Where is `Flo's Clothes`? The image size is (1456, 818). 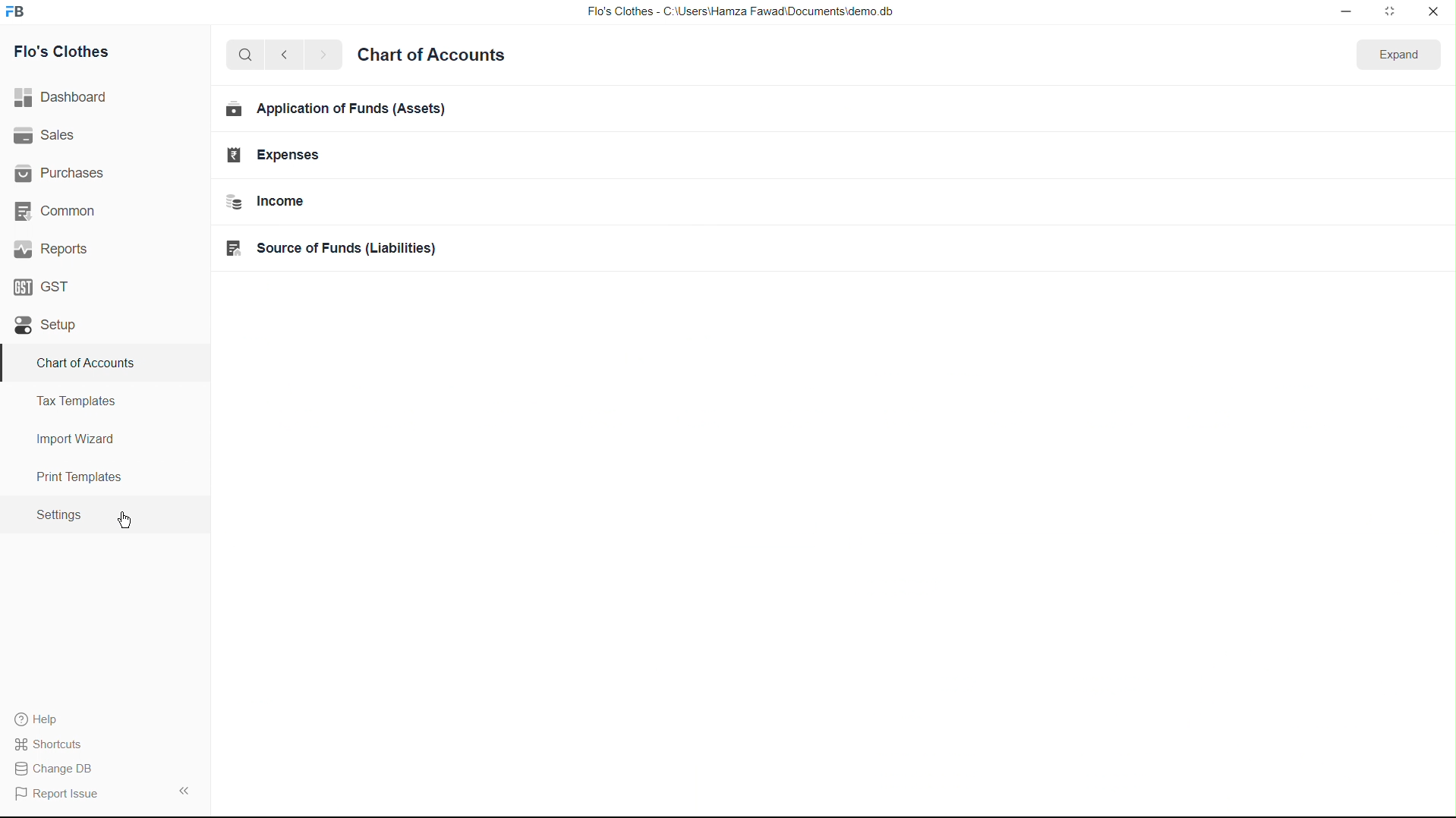
Flo's Clothes is located at coordinates (68, 54).